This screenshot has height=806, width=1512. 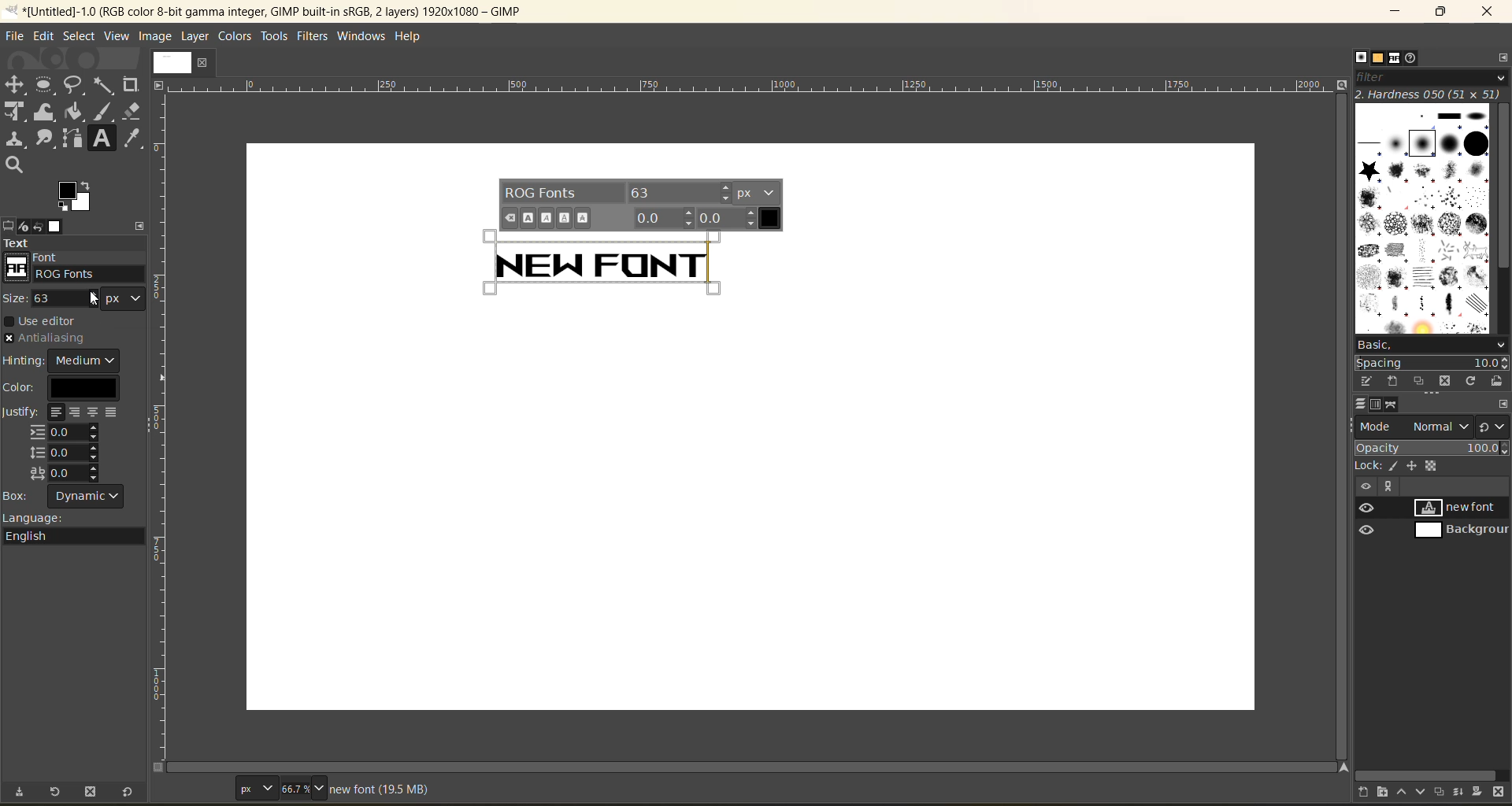 I want to click on tools, so click(x=76, y=126).